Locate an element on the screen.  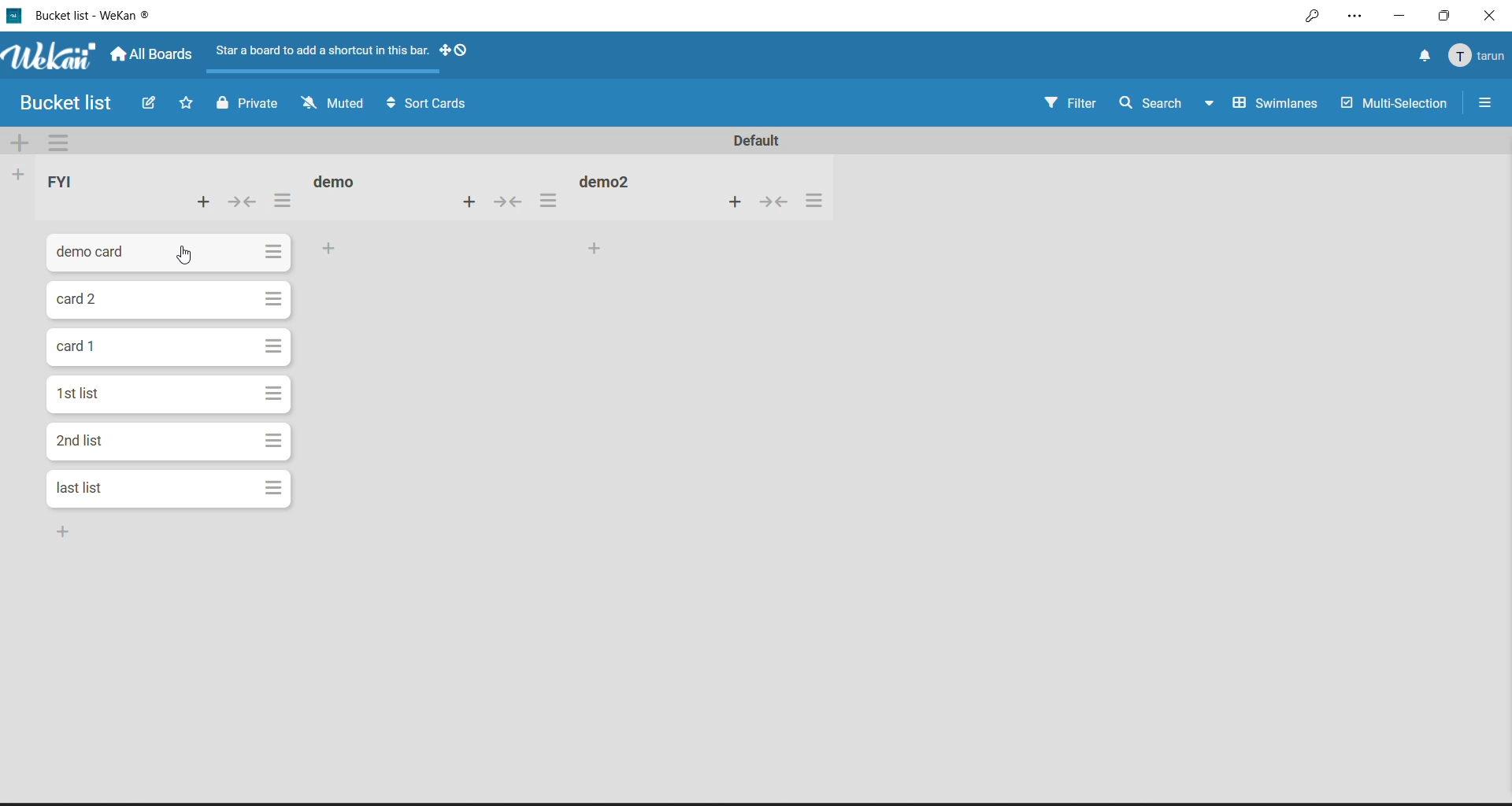
private is located at coordinates (246, 103).